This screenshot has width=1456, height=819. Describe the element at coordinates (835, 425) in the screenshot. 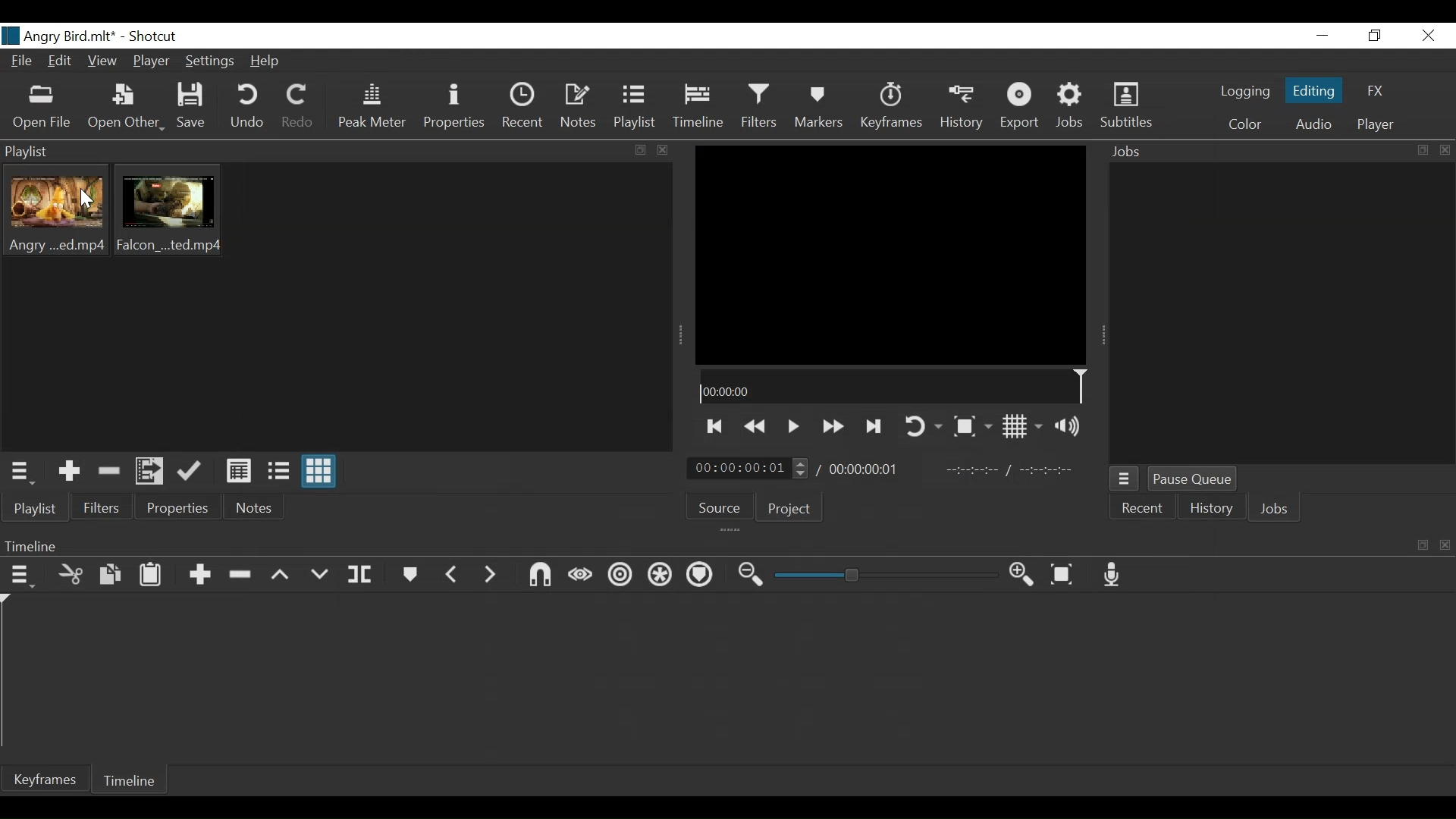

I see `Toggle play forward quickly` at that location.